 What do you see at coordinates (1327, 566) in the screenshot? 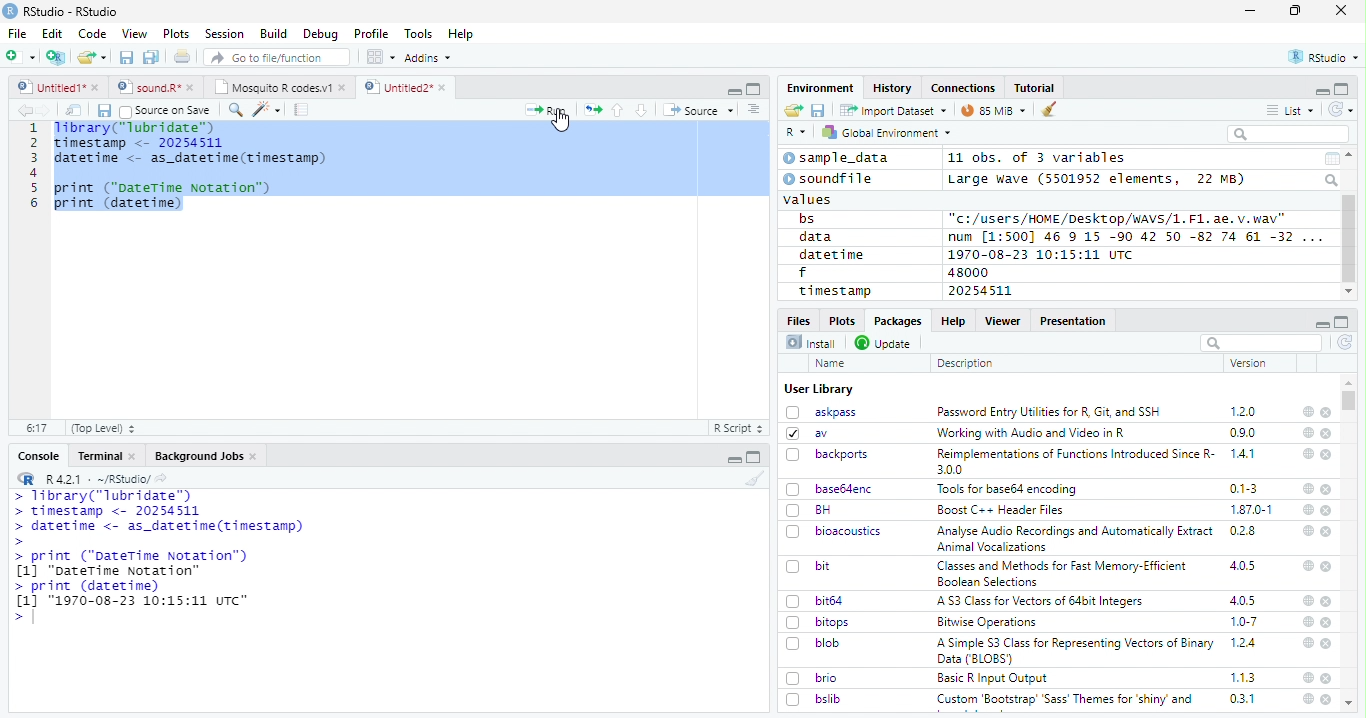
I see `close` at bounding box center [1327, 566].